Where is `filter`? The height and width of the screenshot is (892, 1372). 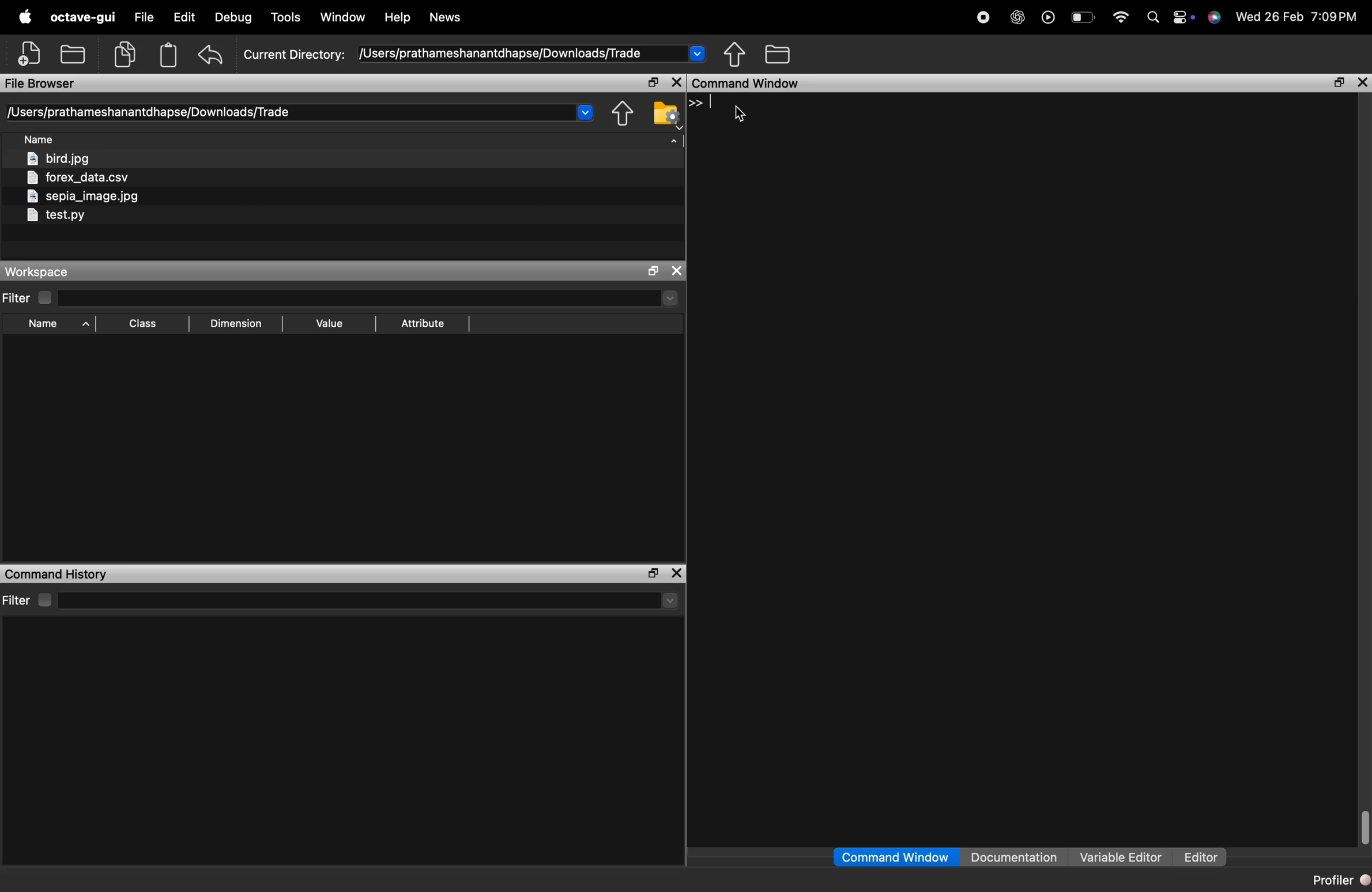
filter is located at coordinates (29, 297).